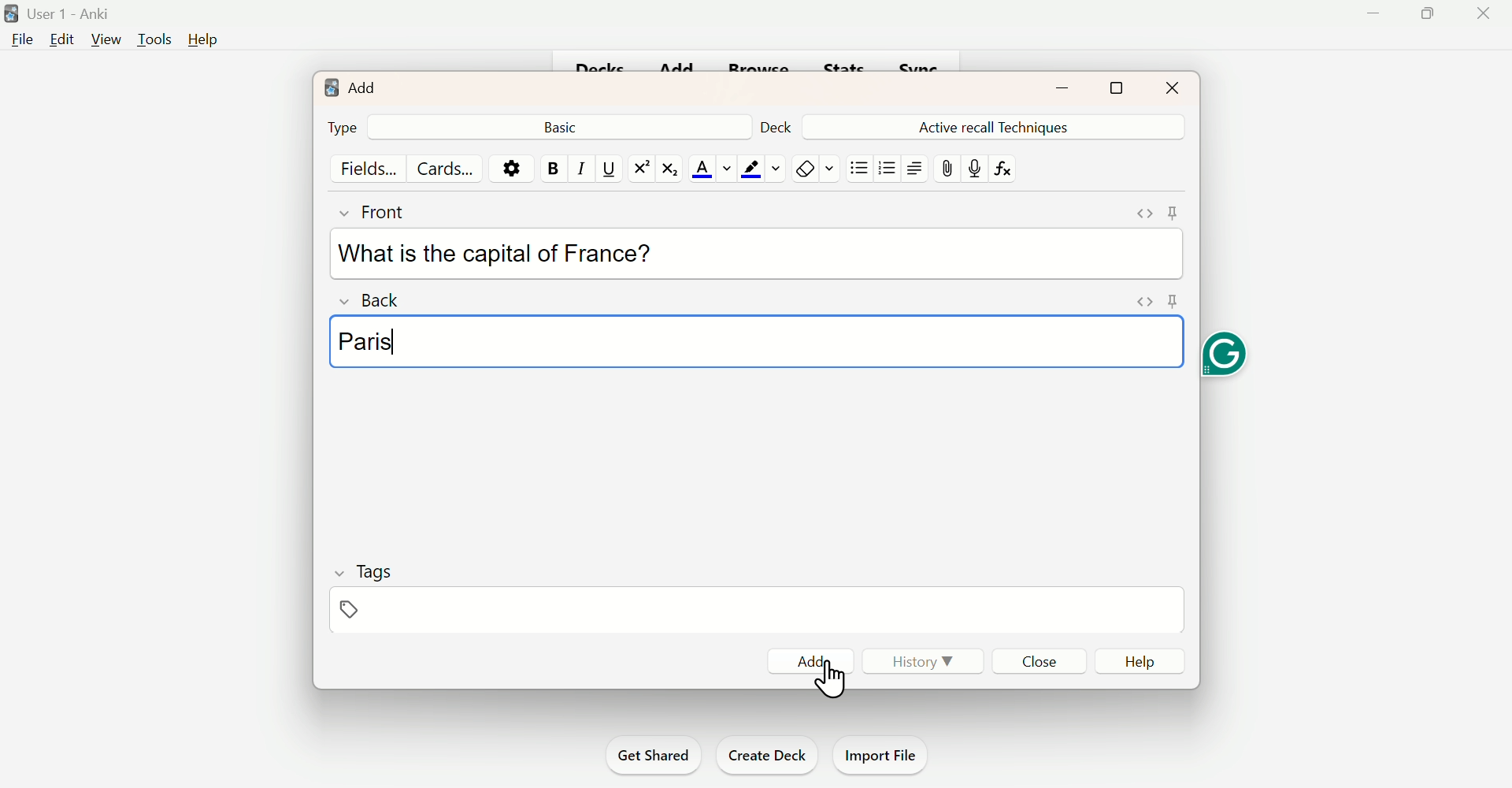  Describe the element at coordinates (23, 42) in the screenshot. I see `File` at that location.